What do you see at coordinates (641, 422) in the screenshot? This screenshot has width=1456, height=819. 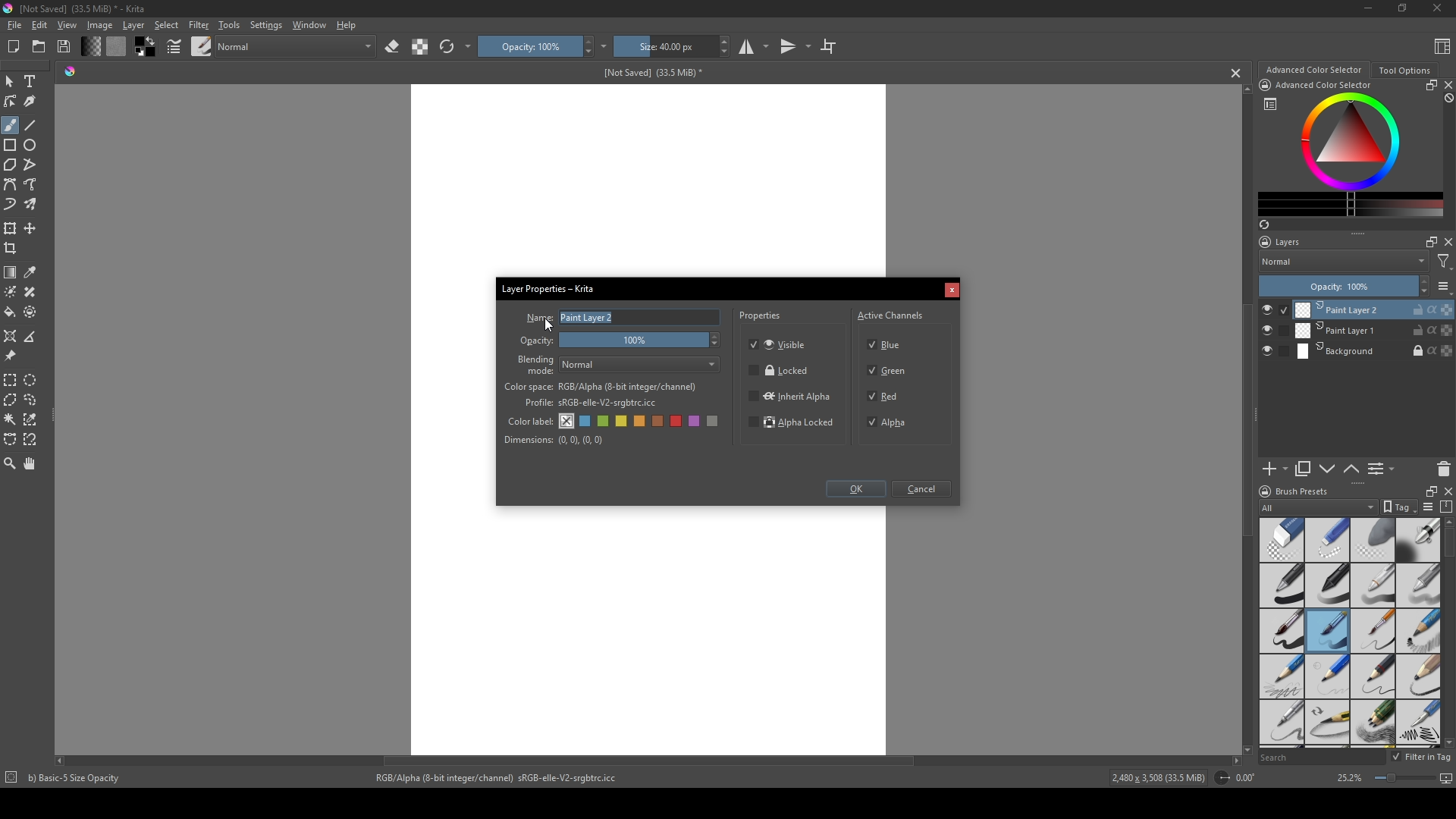 I see `yellow` at bounding box center [641, 422].